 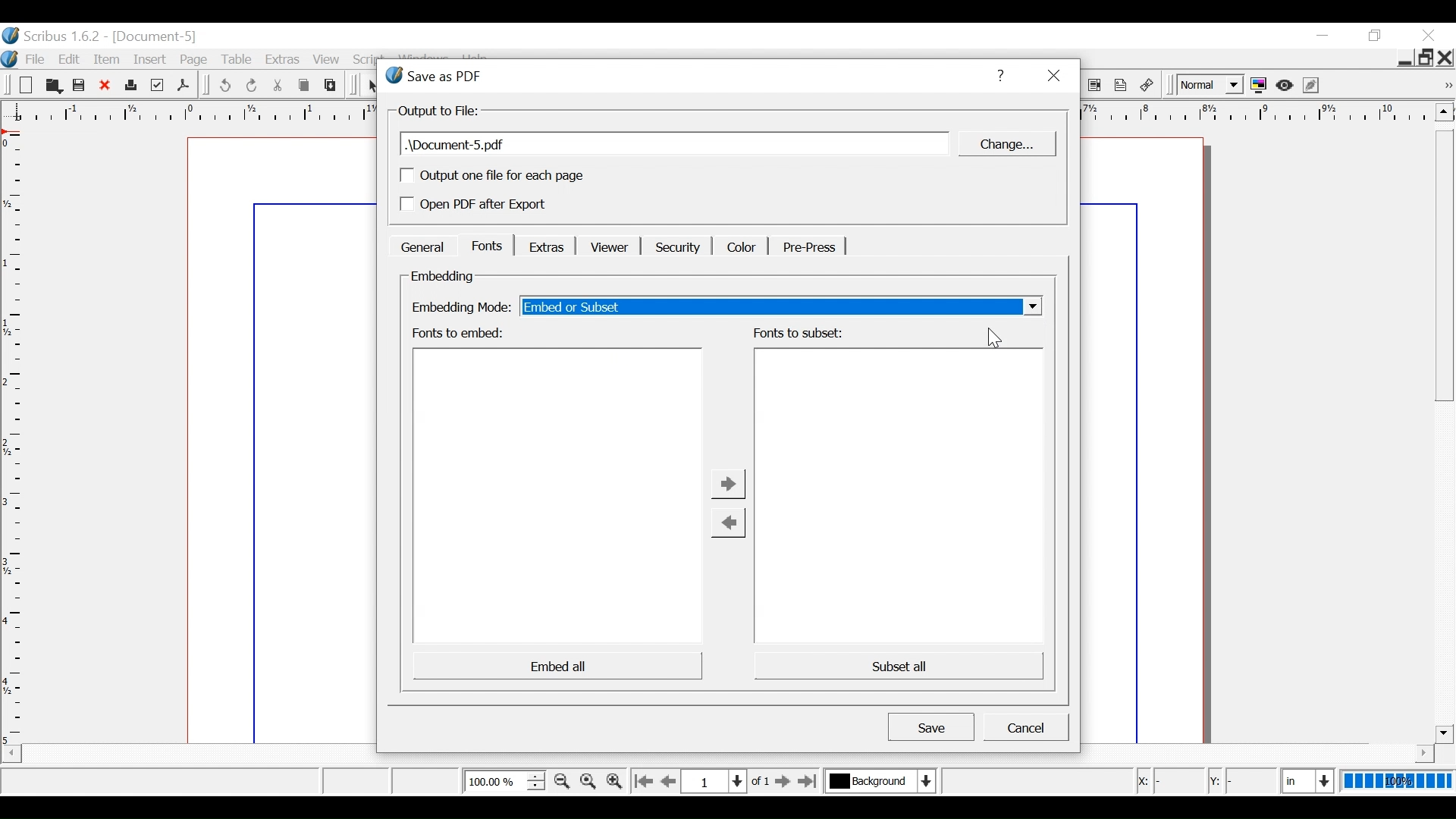 What do you see at coordinates (253, 86) in the screenshot?
I see `Redo` at bounding box center [253, 86].